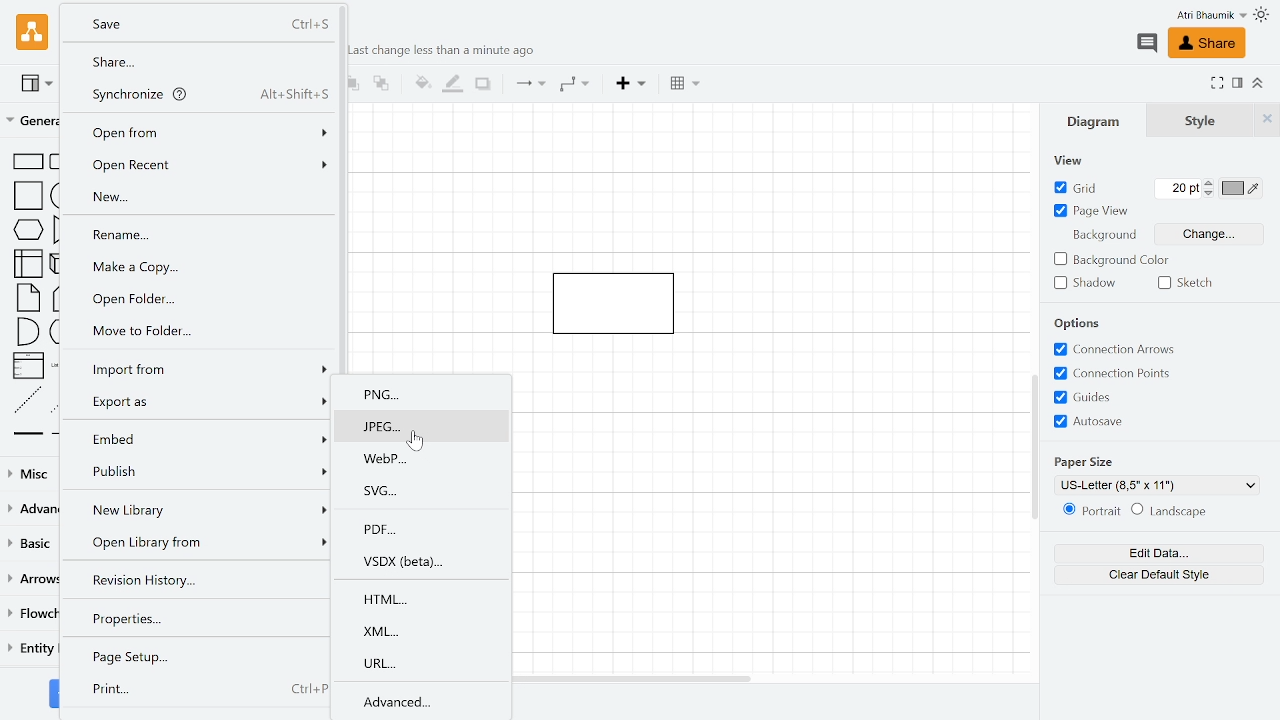 The height and width of the screenshot is (720, 1280). Describe the element at coordinates (30, 120) in the screenshot. I see `General` at that location.